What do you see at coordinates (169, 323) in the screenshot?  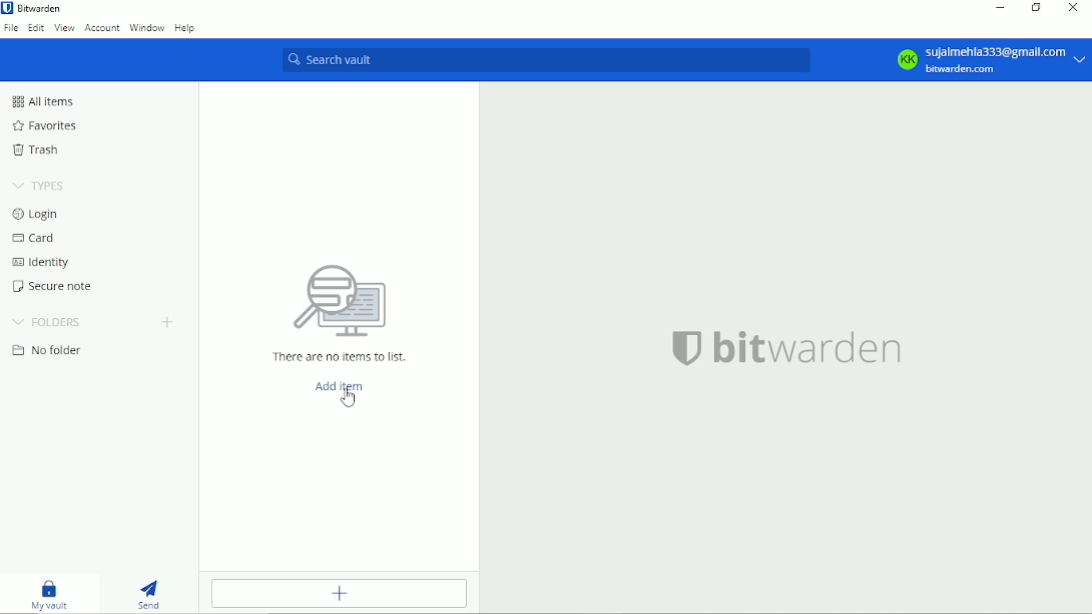 I see `Create folder` at bounding box center [169, 323].